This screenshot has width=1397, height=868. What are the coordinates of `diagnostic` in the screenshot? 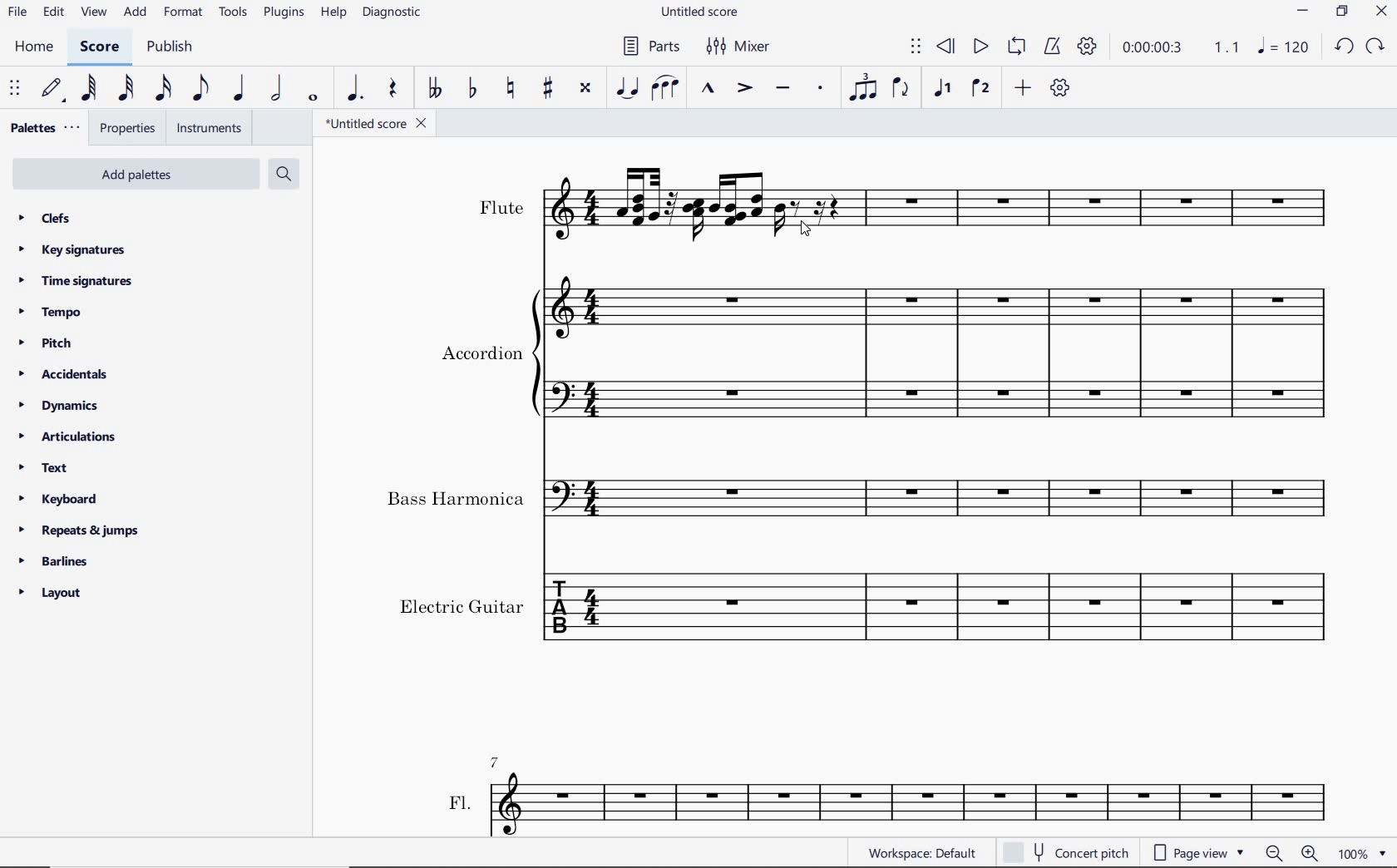 It's located at (393, 15).